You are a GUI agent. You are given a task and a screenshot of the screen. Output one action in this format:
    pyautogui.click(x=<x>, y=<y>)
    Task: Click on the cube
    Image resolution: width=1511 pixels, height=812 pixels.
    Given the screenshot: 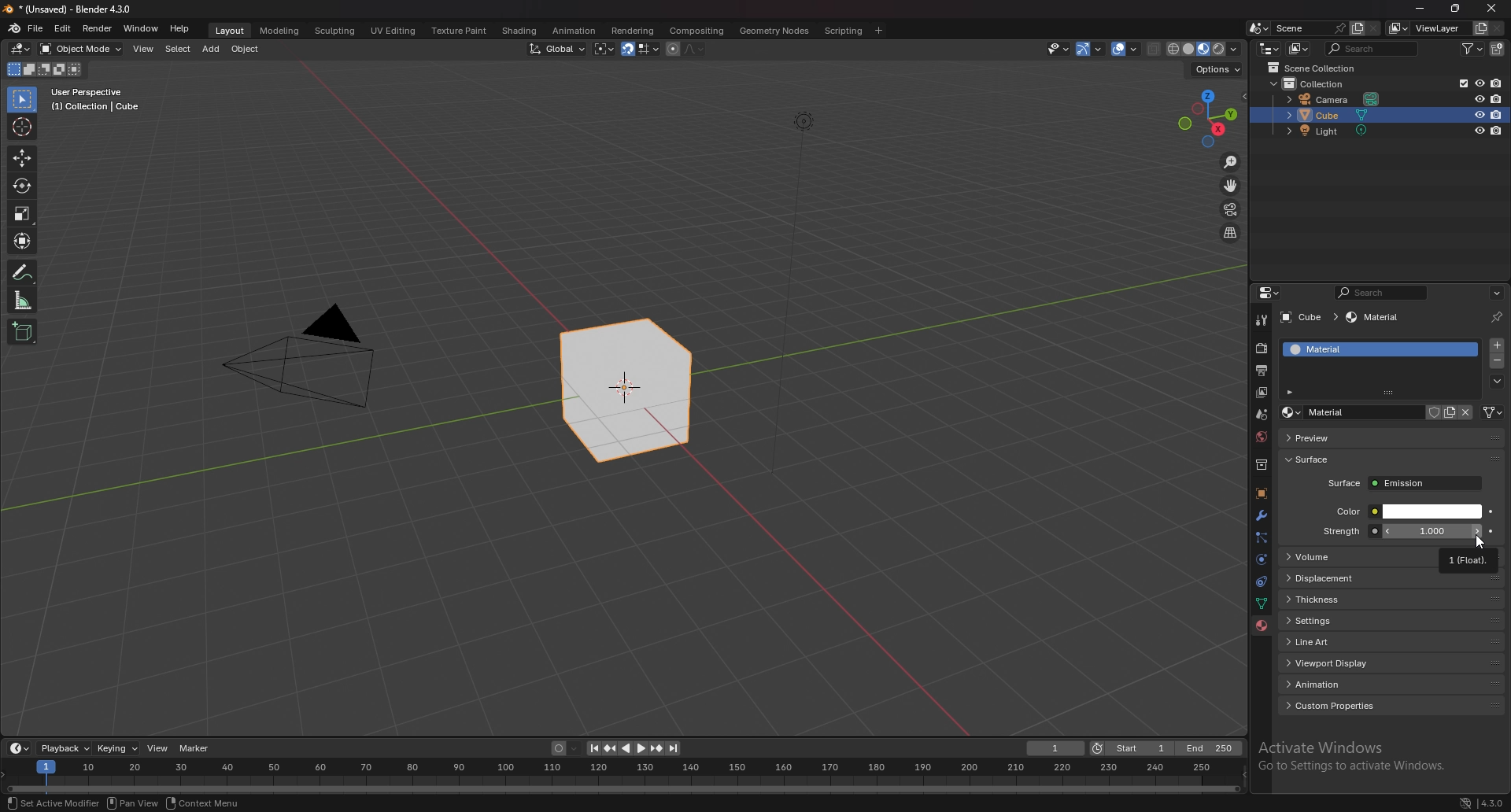 What is the action you would take?
    pyautogui.click(x=1361, y=116)
    